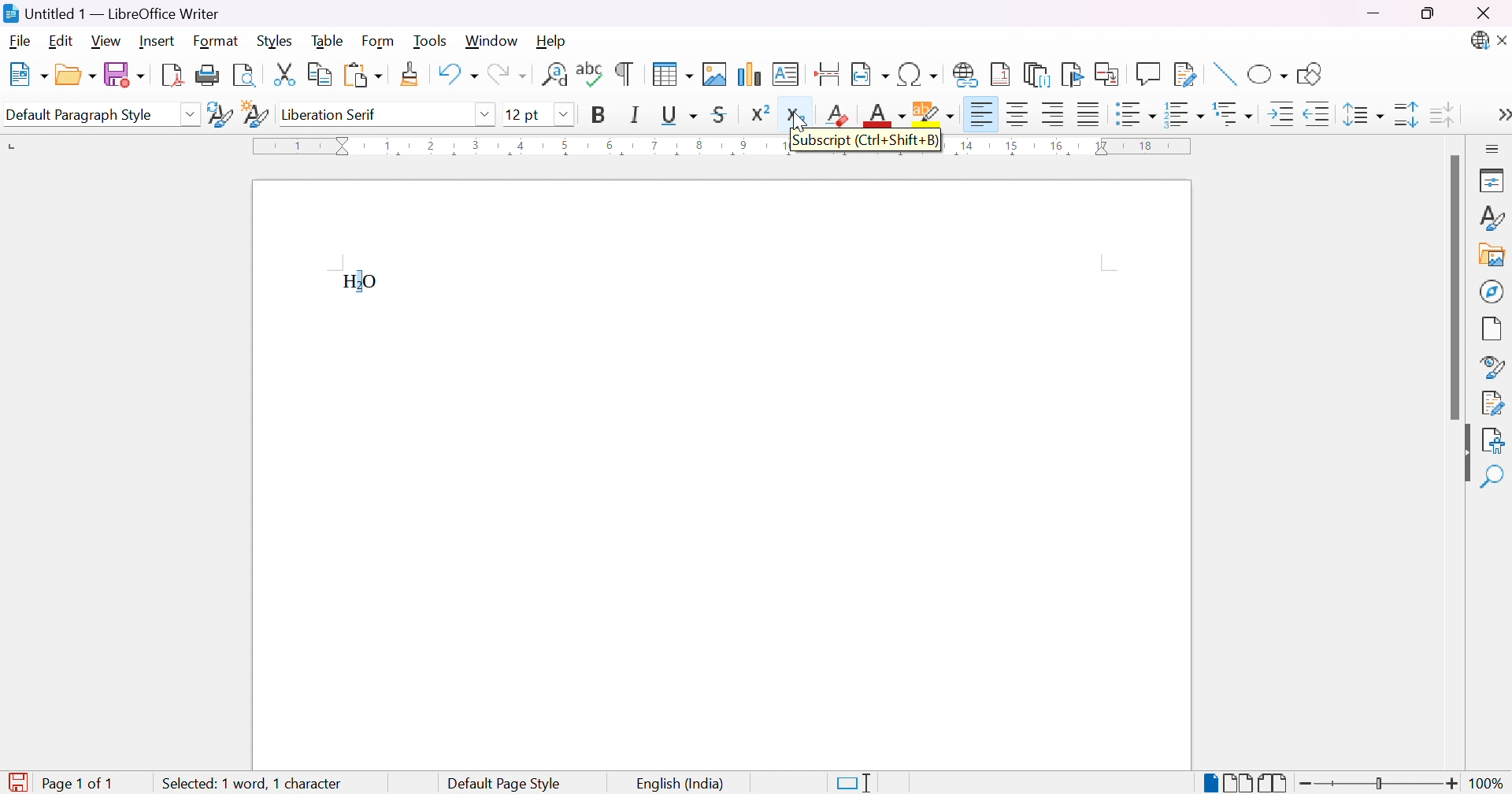  I want to click on Insert image, so click(716, 74).